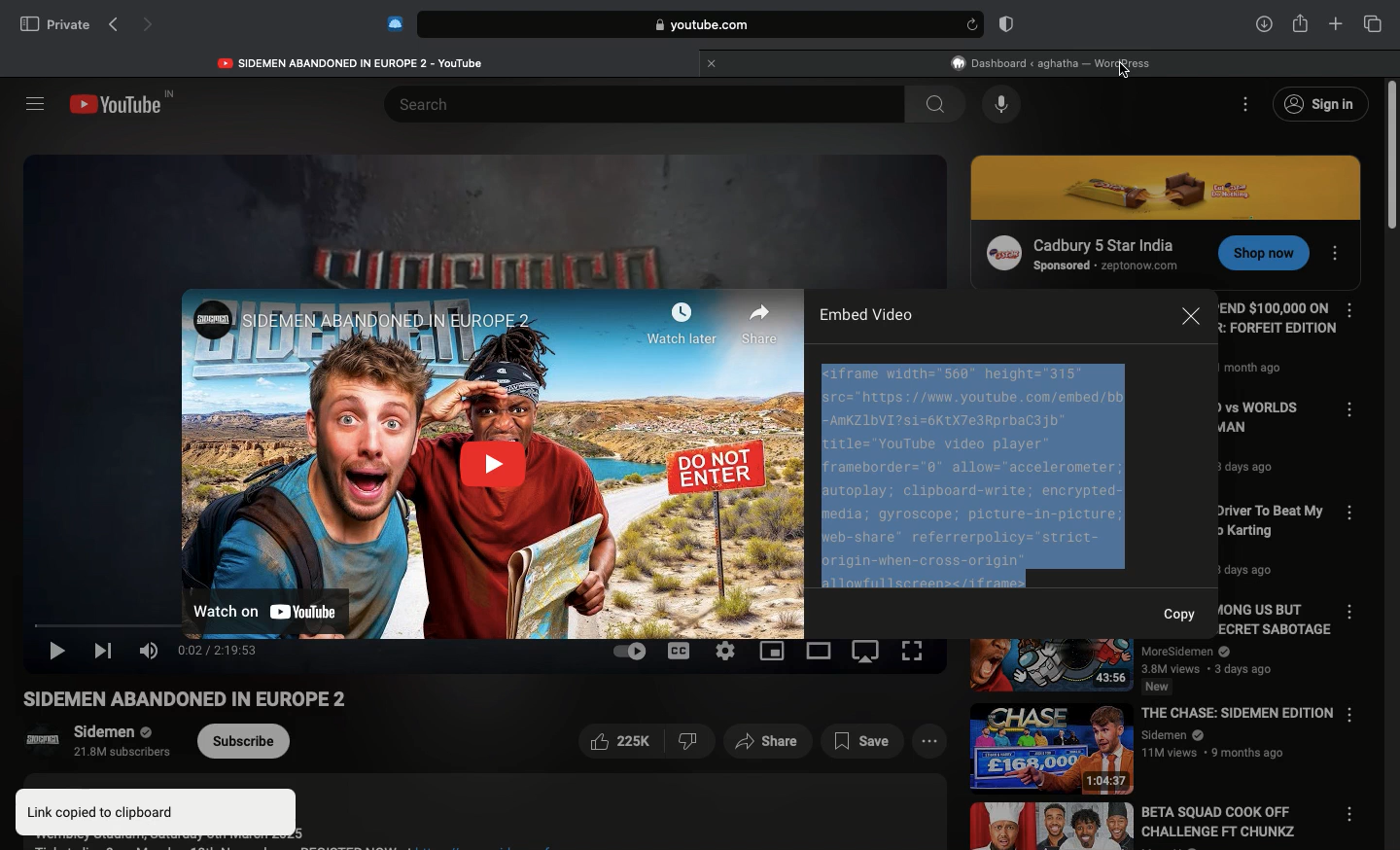  What do you see at coordinates (821, 652) in the screenshot?
I see `Theatre` at bounding box center [821, 652].